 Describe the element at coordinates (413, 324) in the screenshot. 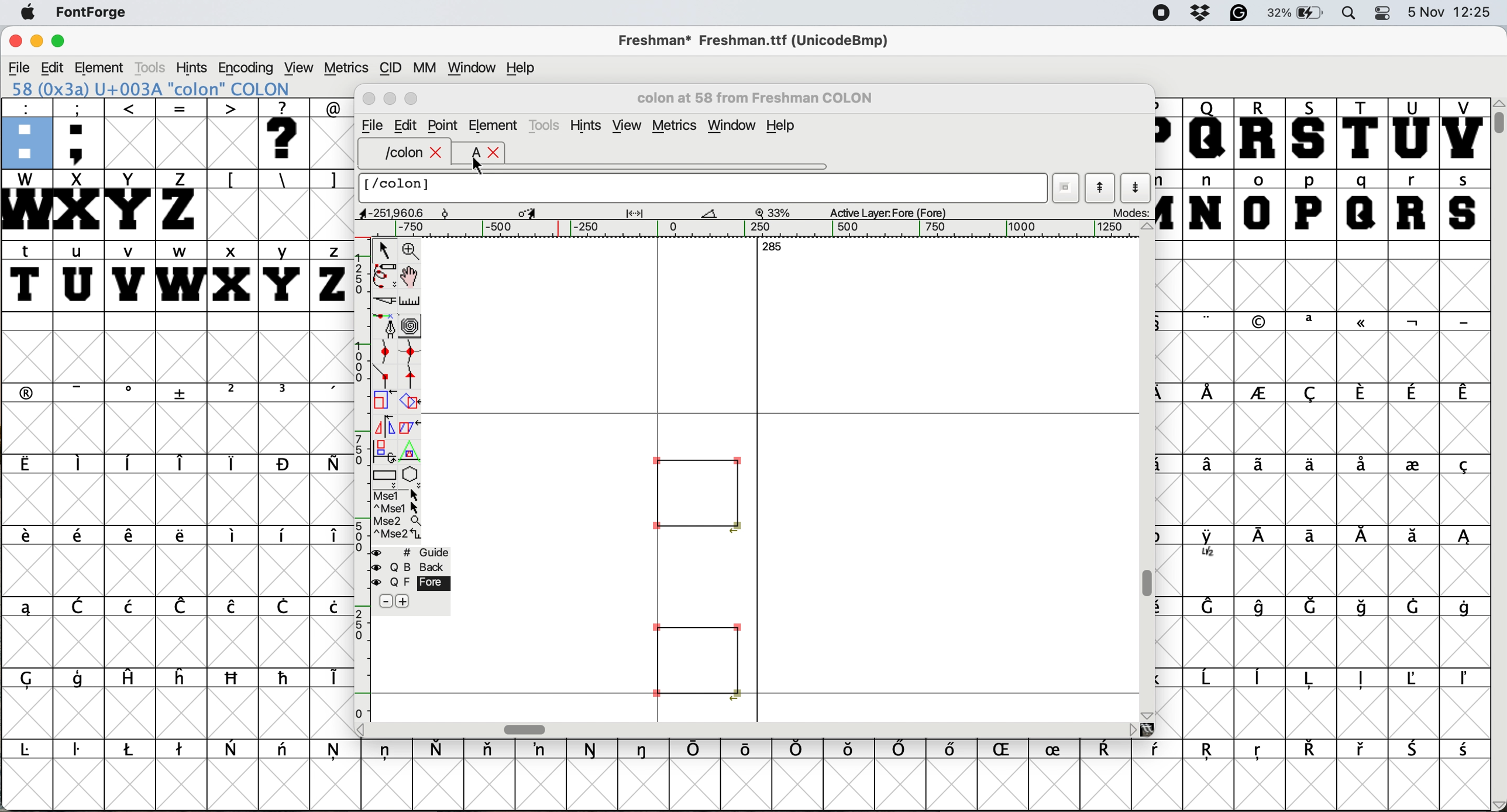

I see `change whether spiro is active or not` at that location.